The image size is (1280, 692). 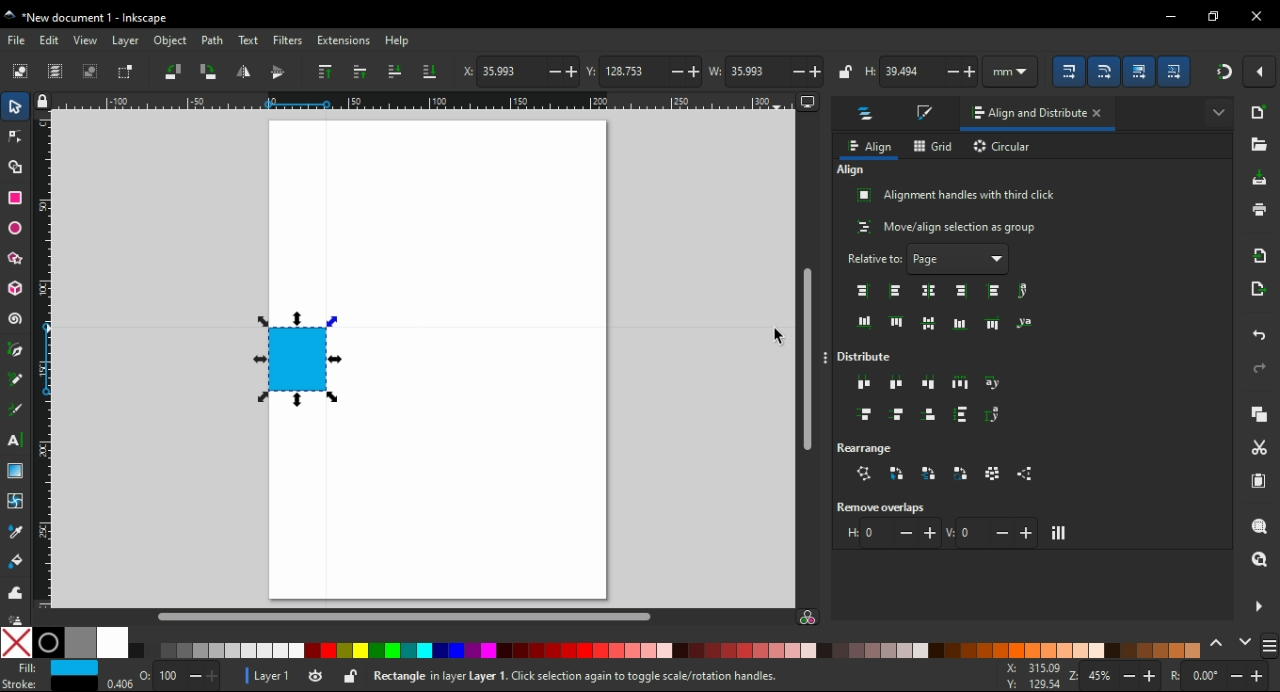 I want to click on align top edges, so click(x=897, y=321).